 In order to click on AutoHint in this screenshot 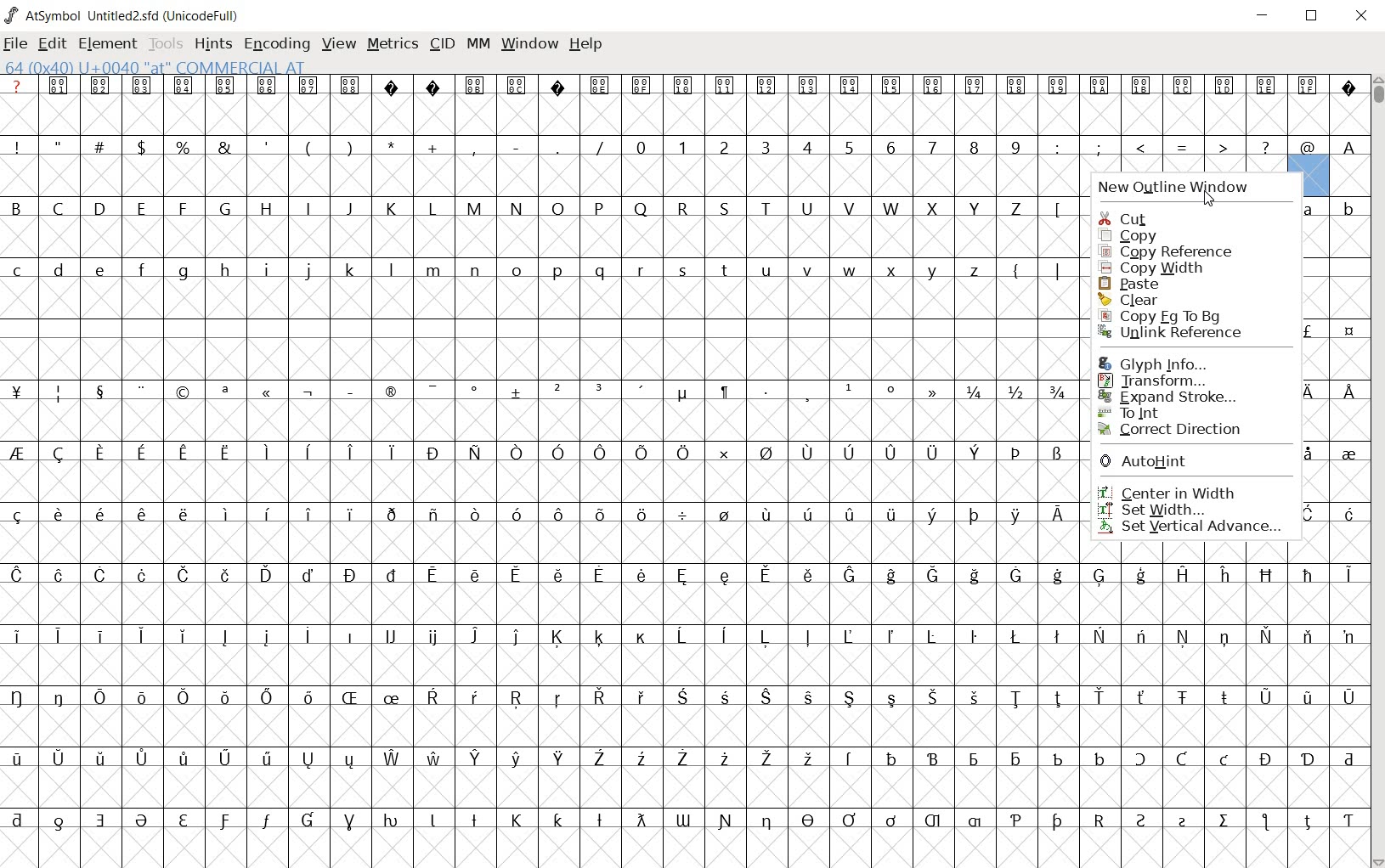, I will do `click(1145, 459)`.